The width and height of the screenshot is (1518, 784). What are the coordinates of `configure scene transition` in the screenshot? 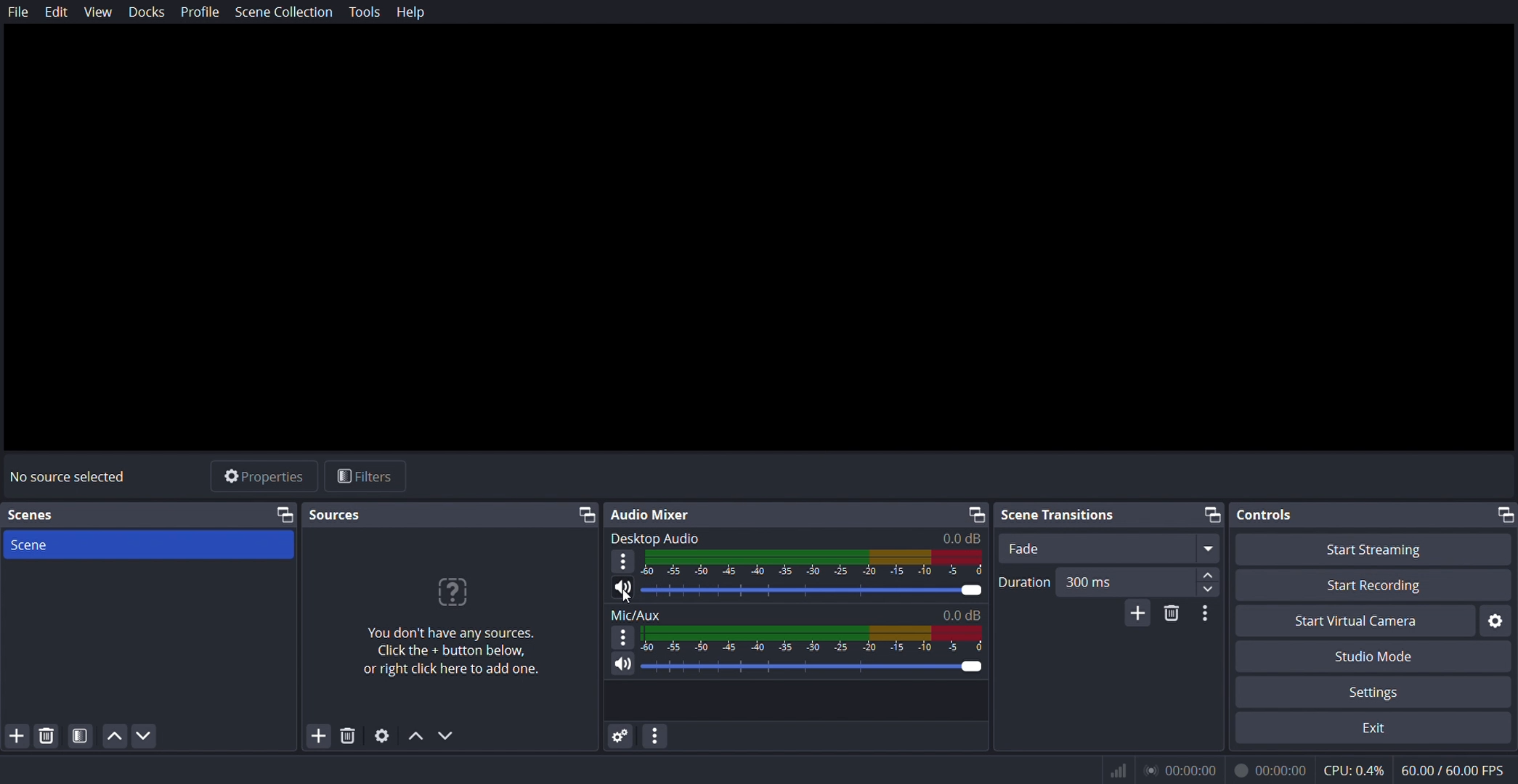 It's located at (1206, 615).